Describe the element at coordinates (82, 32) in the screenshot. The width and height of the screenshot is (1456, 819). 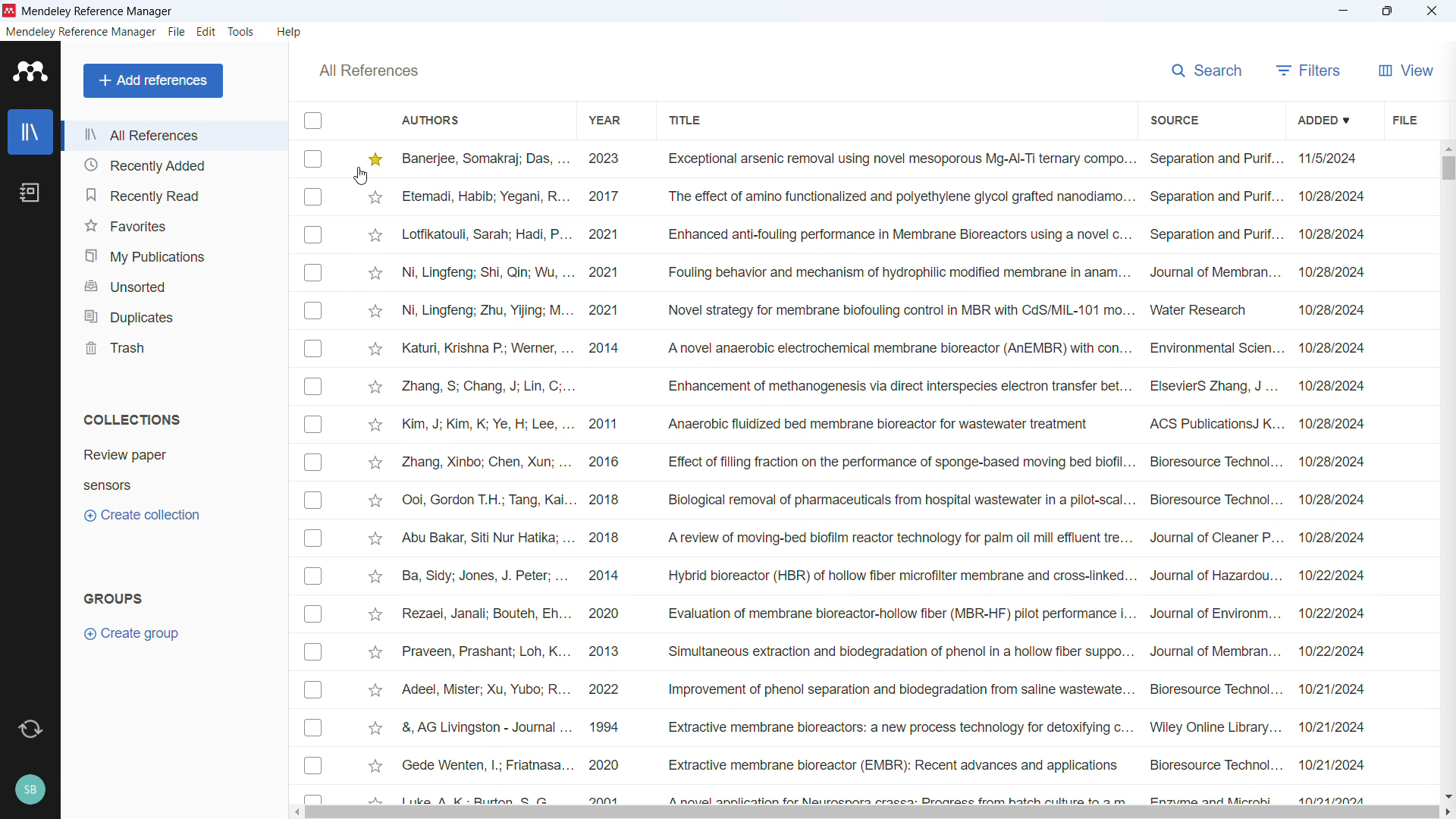
I see `mendeley reference manager` at that location.